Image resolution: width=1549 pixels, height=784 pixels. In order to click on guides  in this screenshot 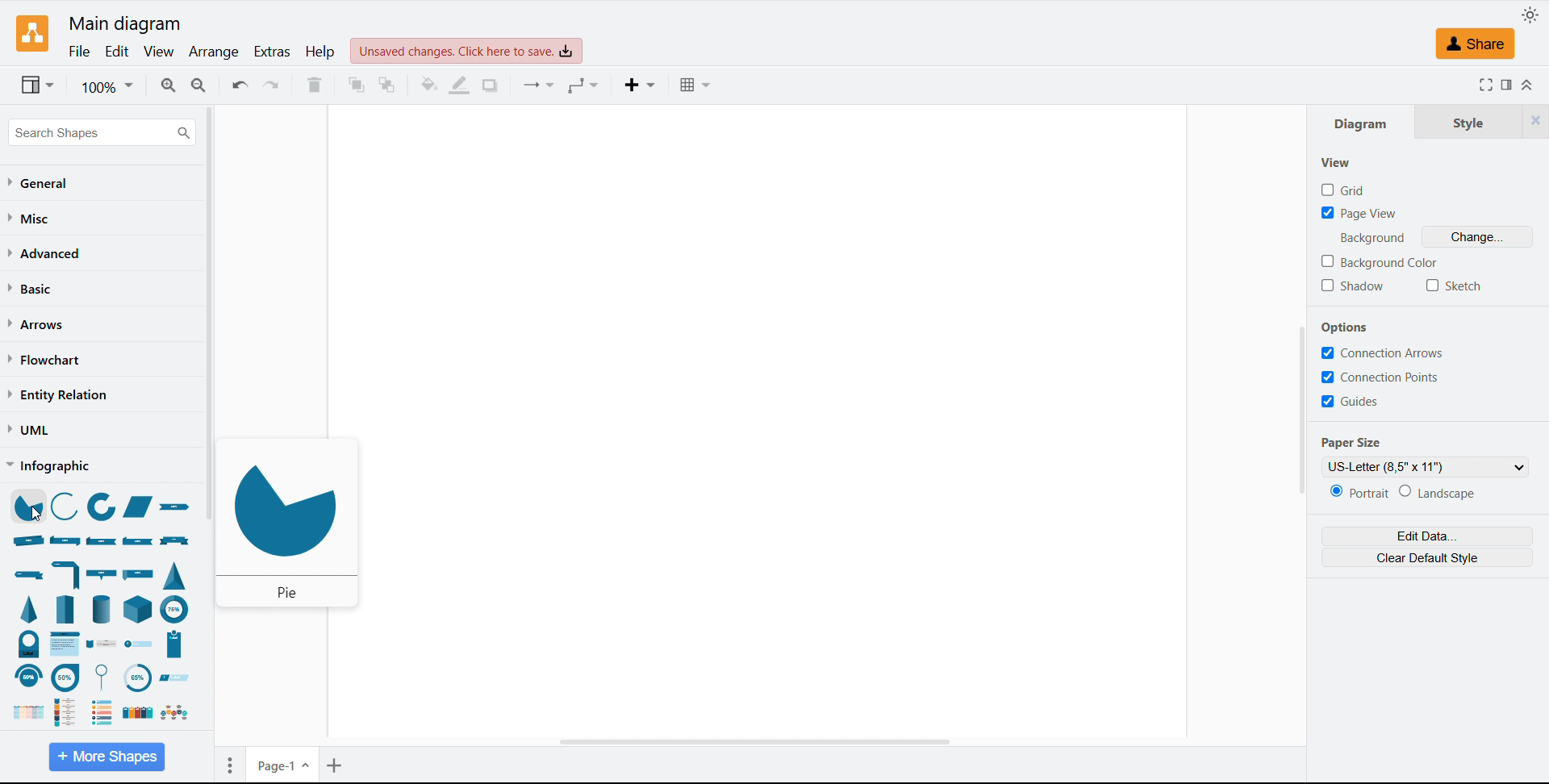, I will do `click(1351, 402)`.